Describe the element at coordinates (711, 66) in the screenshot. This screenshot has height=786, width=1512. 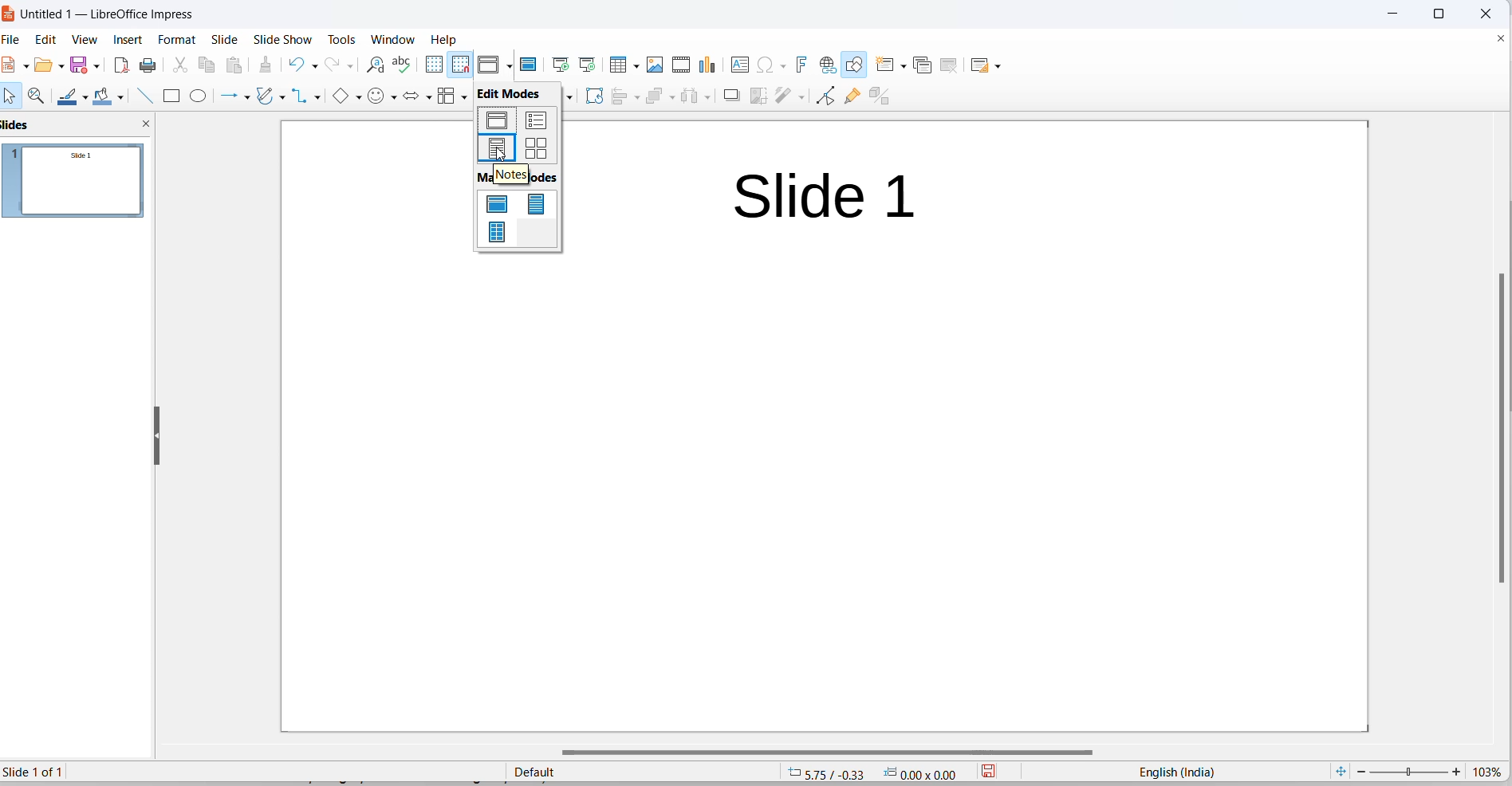
I see `insert chart` at that location.